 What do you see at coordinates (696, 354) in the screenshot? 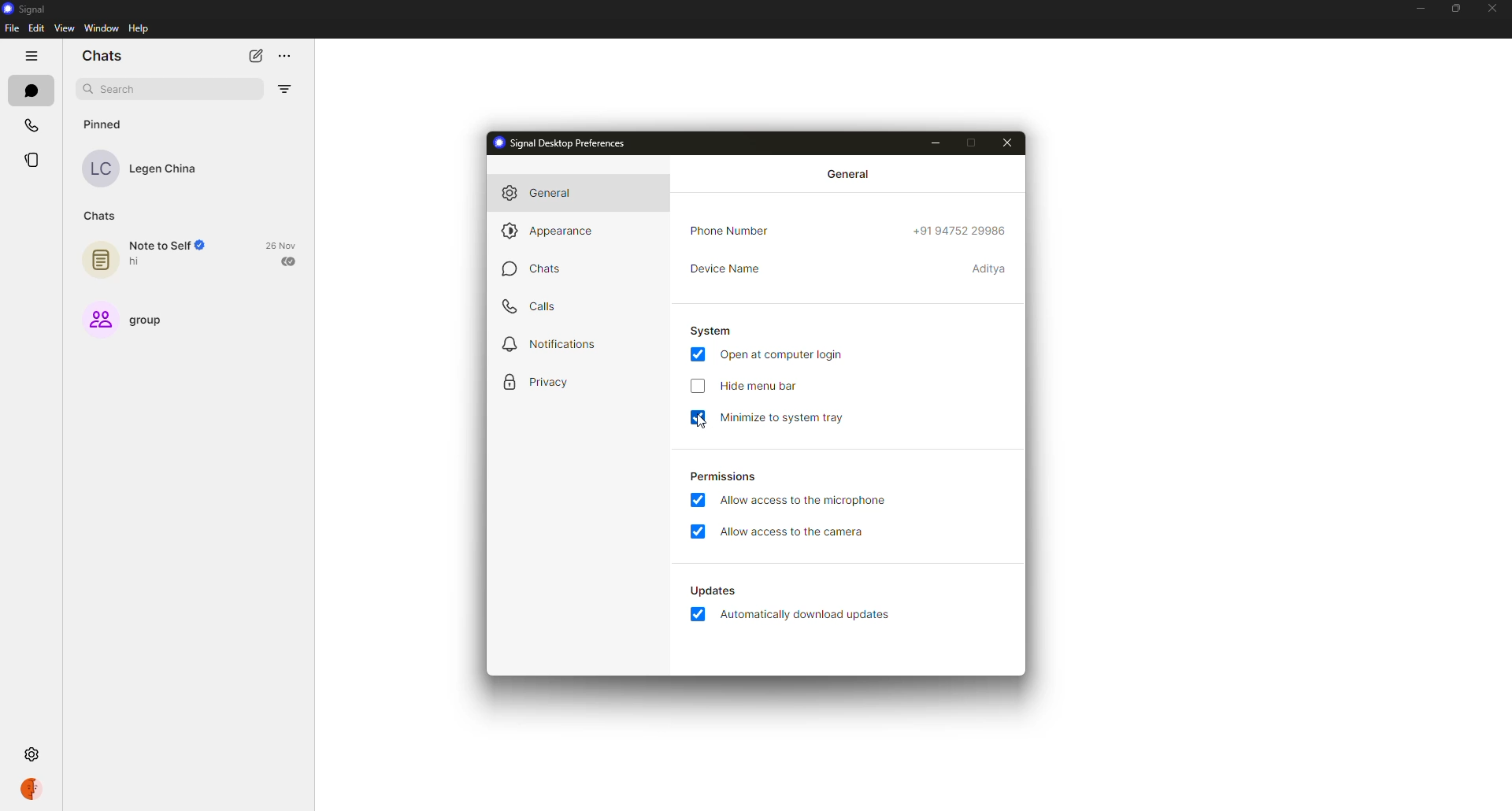
I see `enabled` at bounding box center [696, 354].